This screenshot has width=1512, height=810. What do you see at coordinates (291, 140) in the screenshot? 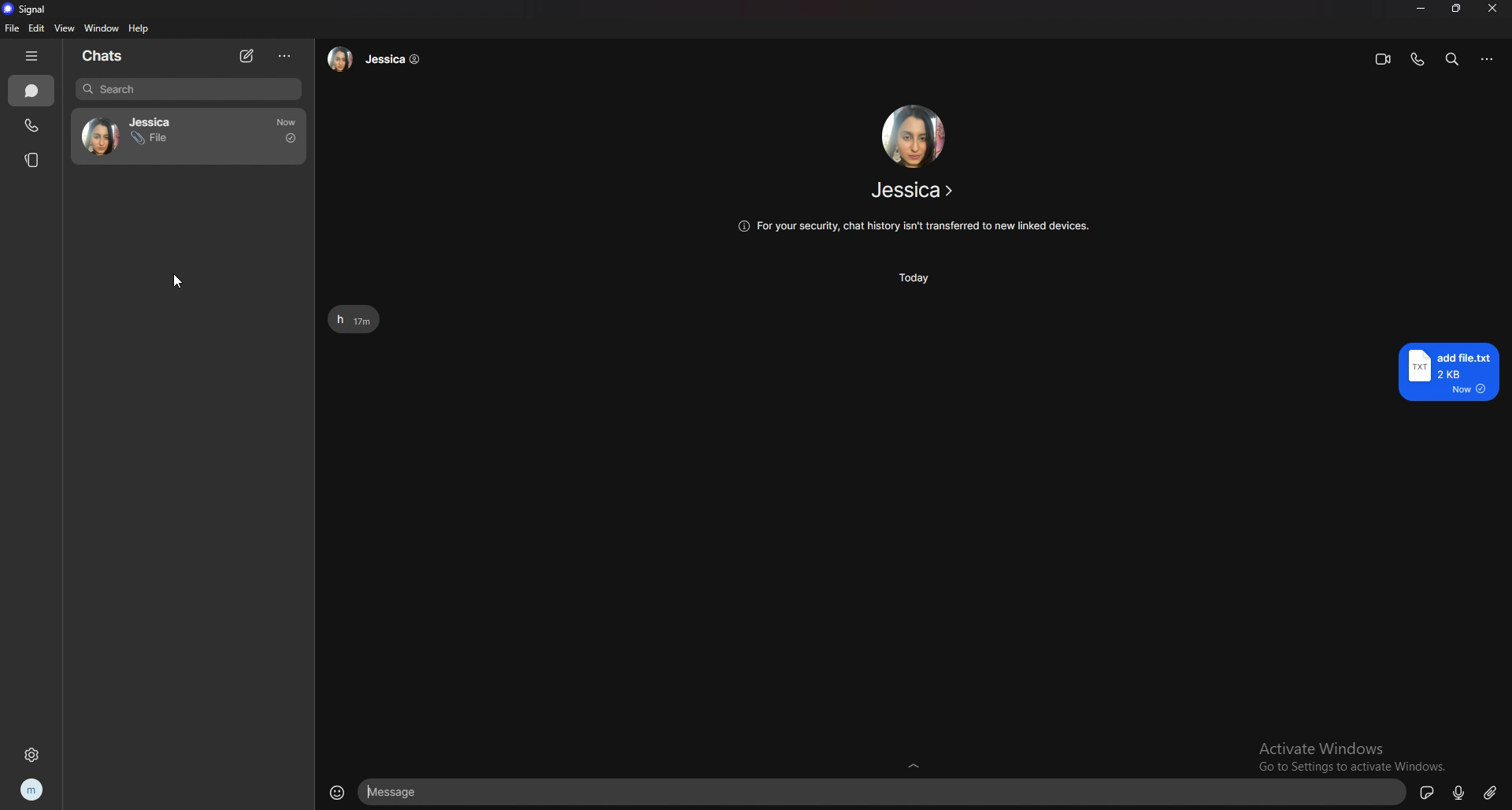
I see `unseen` at bounding box center [291, 140].